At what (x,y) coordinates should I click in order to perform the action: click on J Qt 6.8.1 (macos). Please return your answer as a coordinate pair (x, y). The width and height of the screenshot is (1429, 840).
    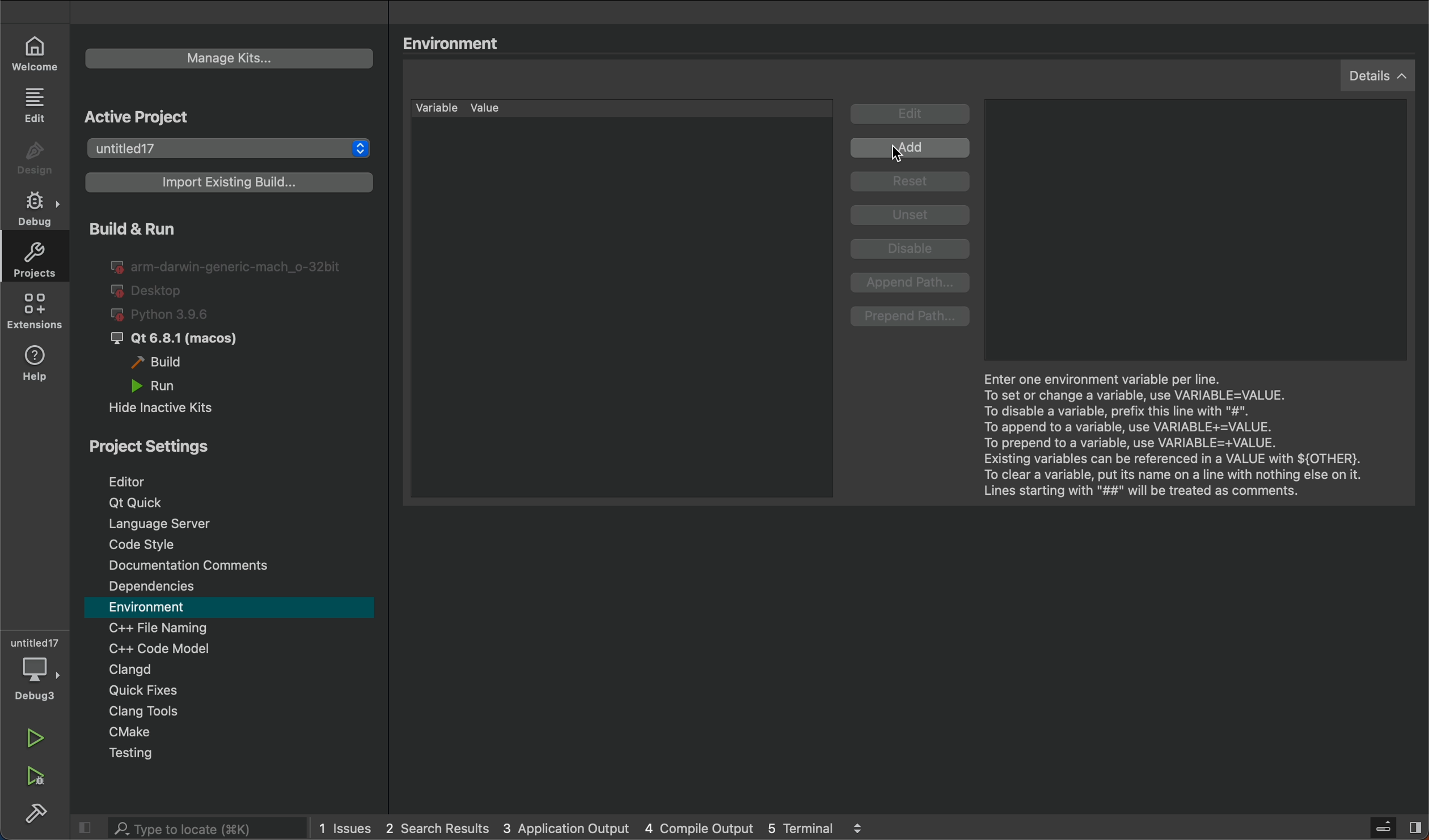
    Looking at the image, I should click on (184, 340).